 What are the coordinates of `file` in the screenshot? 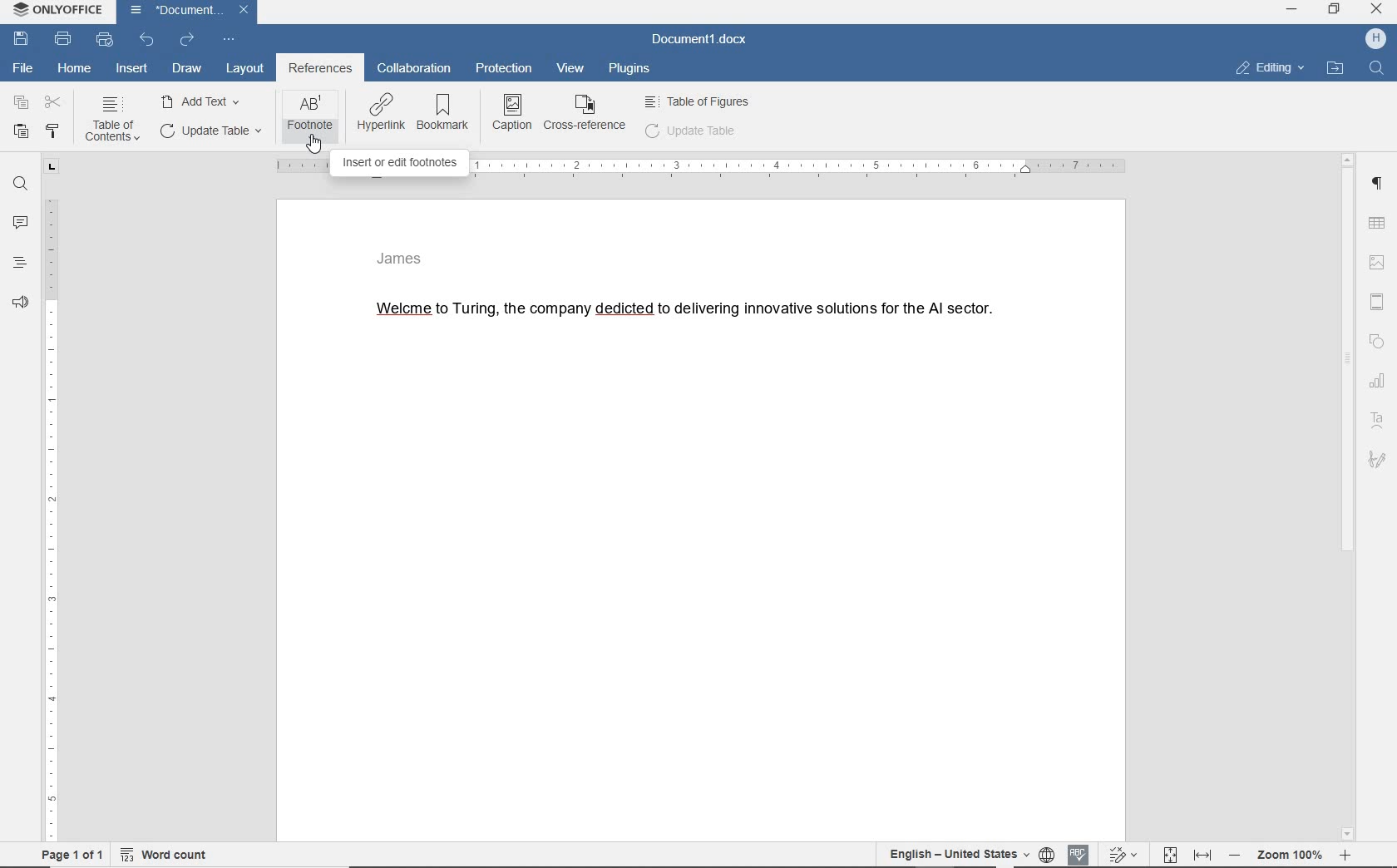 It's located at (27, 67).